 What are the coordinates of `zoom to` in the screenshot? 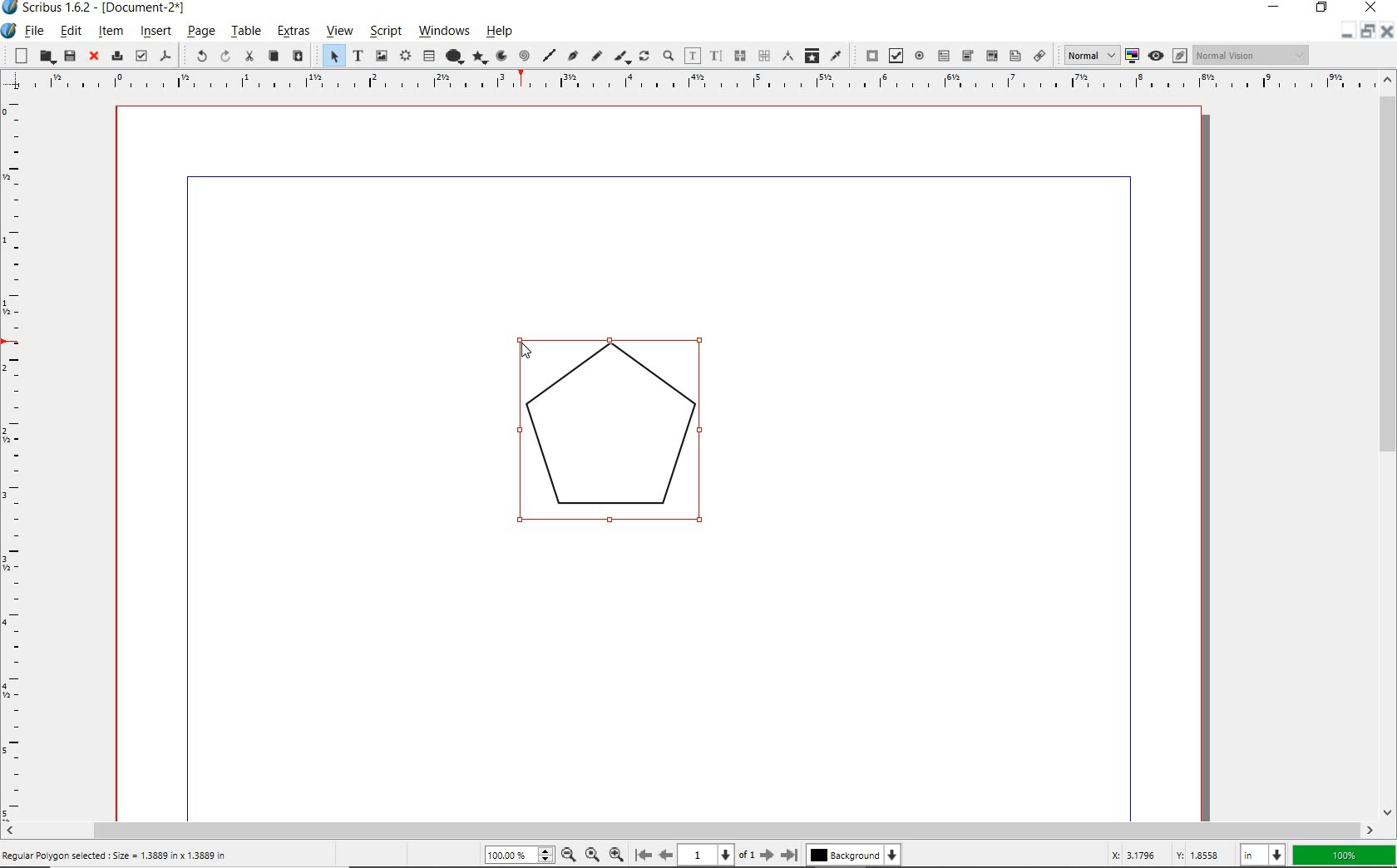 It's located at (591, 855).